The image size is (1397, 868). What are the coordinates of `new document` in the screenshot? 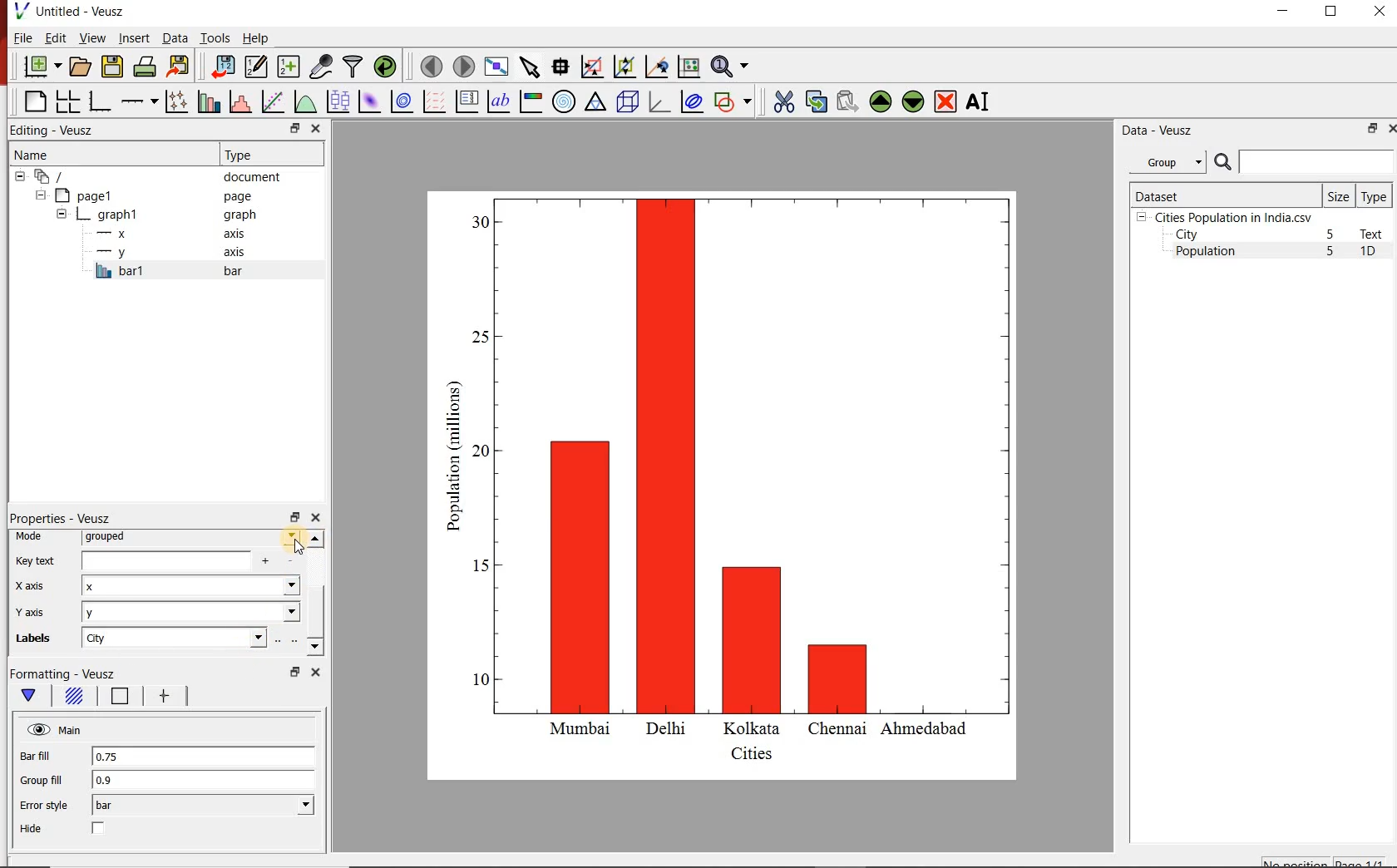 It's located at (39, 67).